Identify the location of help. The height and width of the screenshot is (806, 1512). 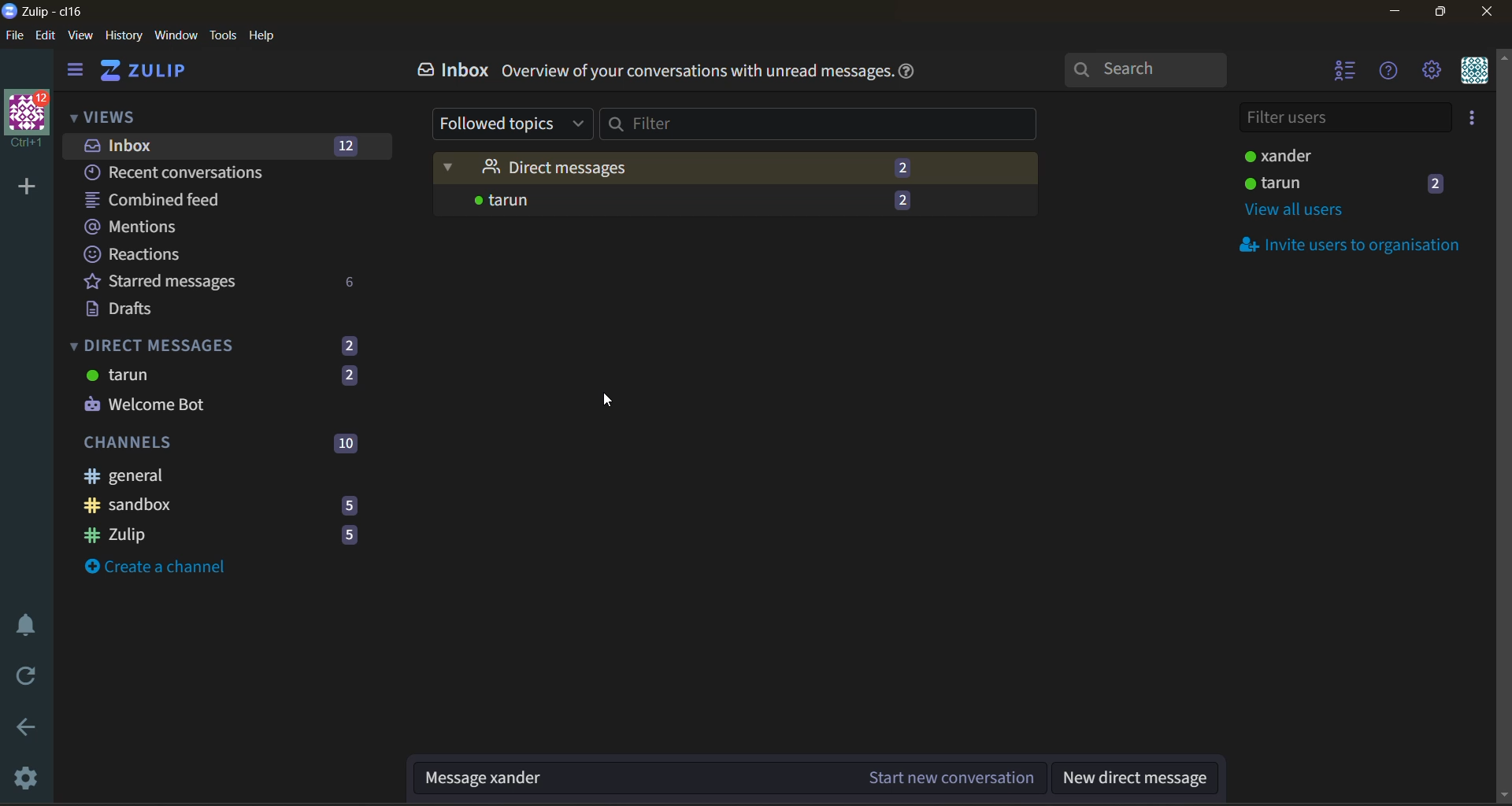
(262, 37).